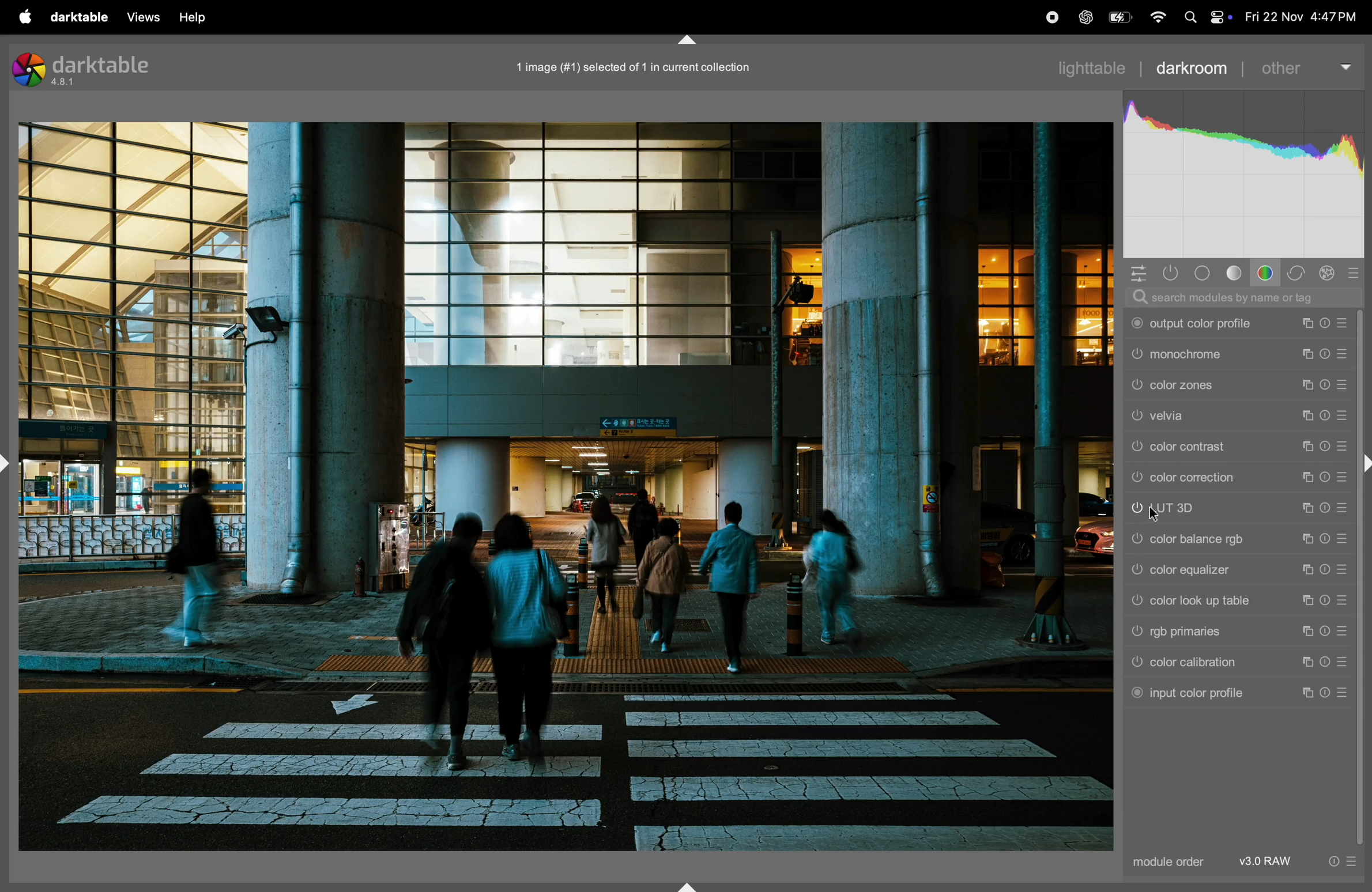  Describe the element at coordinates (1306, 354) in the screenshot. I see `multiple intance actions` at that location.